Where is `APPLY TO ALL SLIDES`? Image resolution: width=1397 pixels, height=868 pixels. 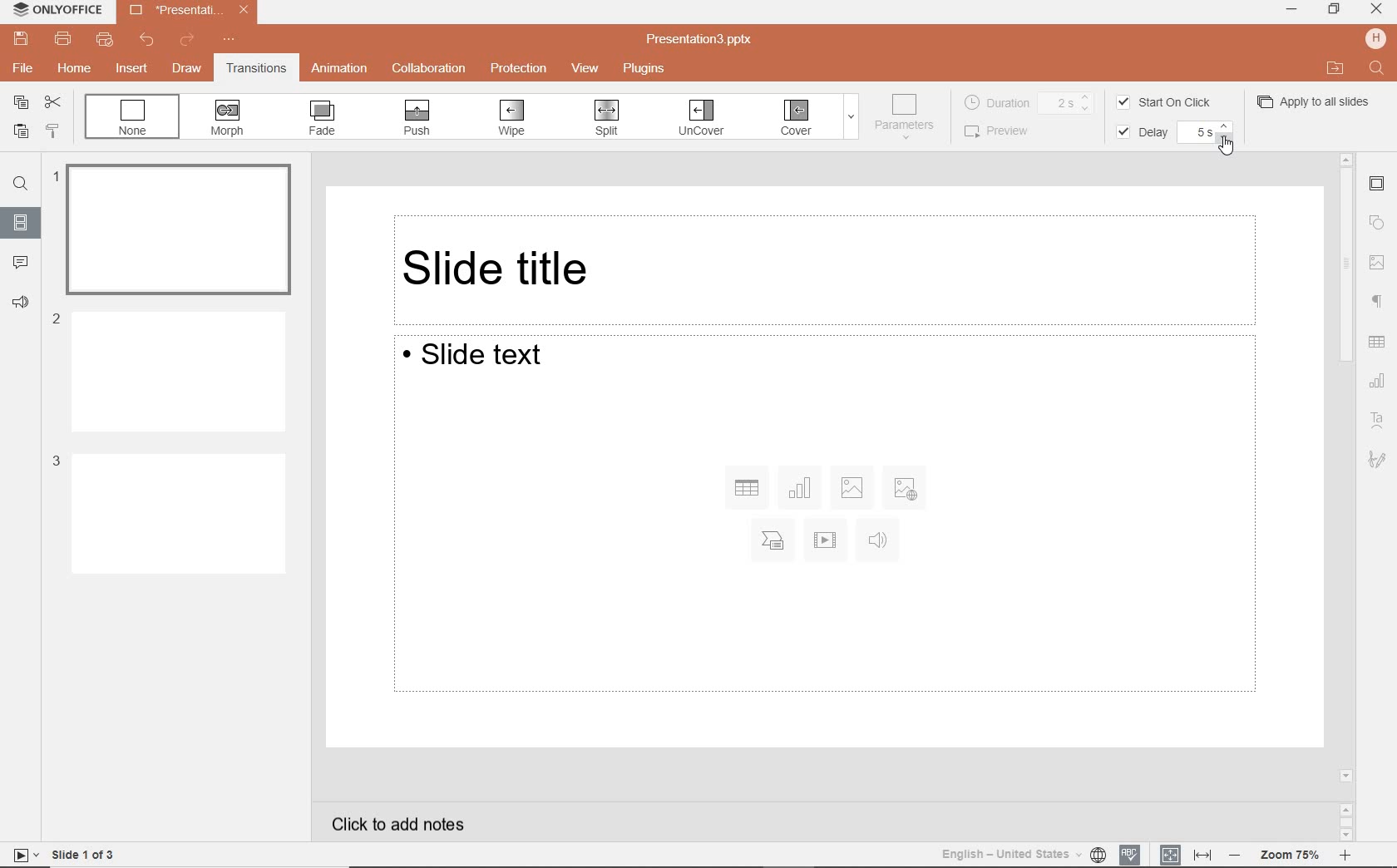 APPLY TO ALL SLIDES is located at coordinates (1315, 101).